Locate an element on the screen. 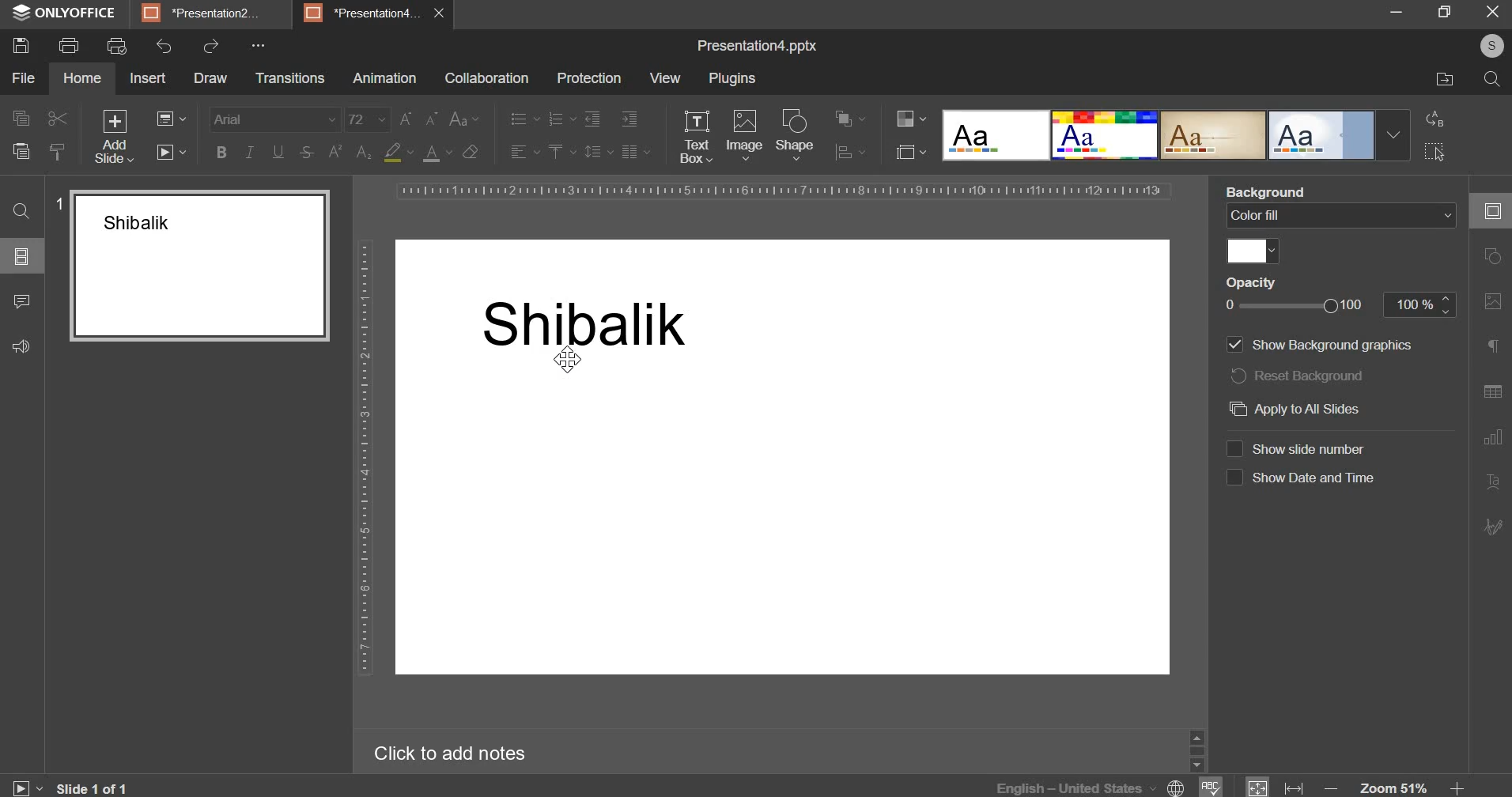 This screenshot has height=797, width=1512. underline is located at coordinates (278, 152).